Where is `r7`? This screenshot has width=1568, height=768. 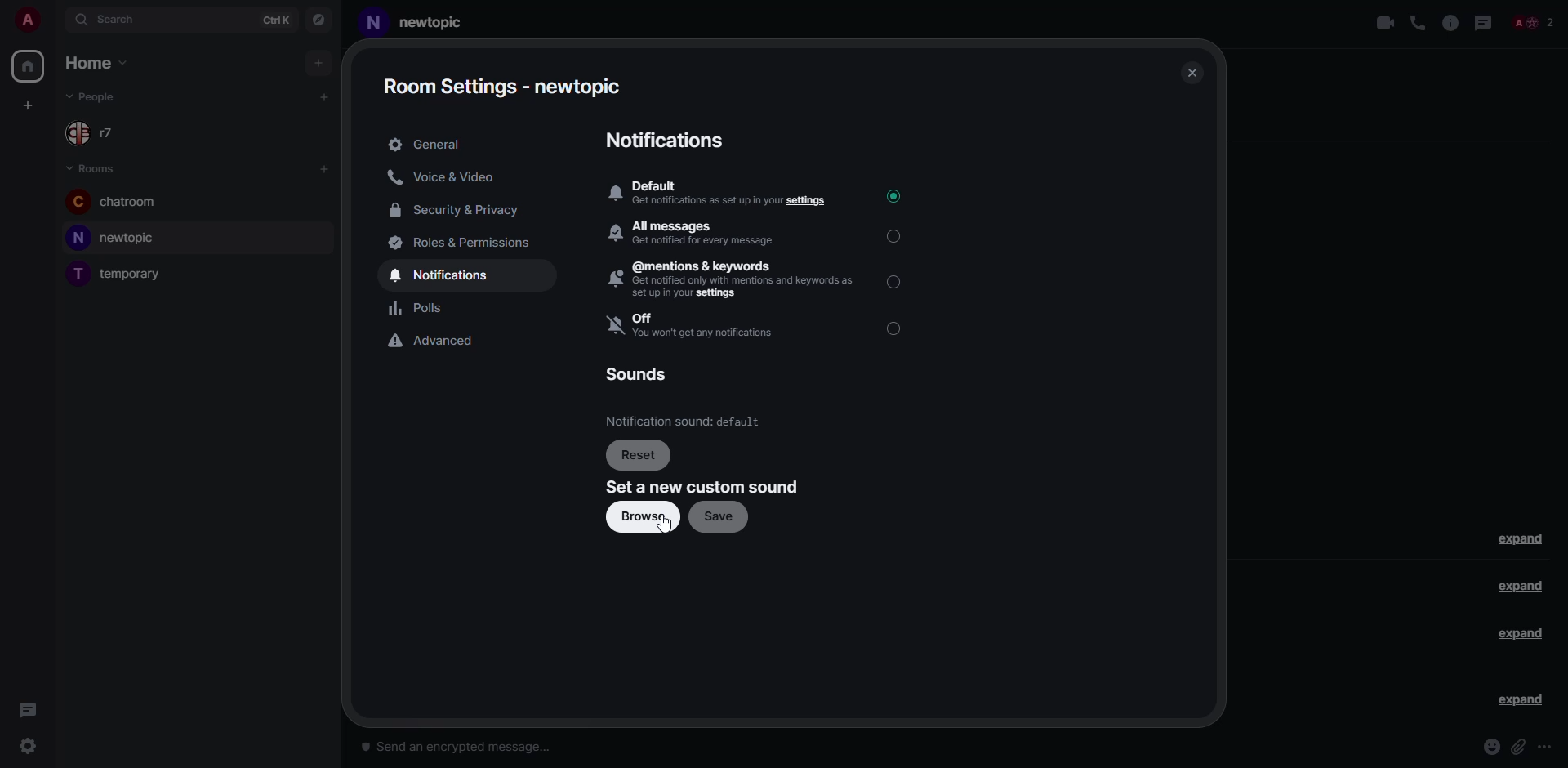 r7 is located at coordinates (99, 135).